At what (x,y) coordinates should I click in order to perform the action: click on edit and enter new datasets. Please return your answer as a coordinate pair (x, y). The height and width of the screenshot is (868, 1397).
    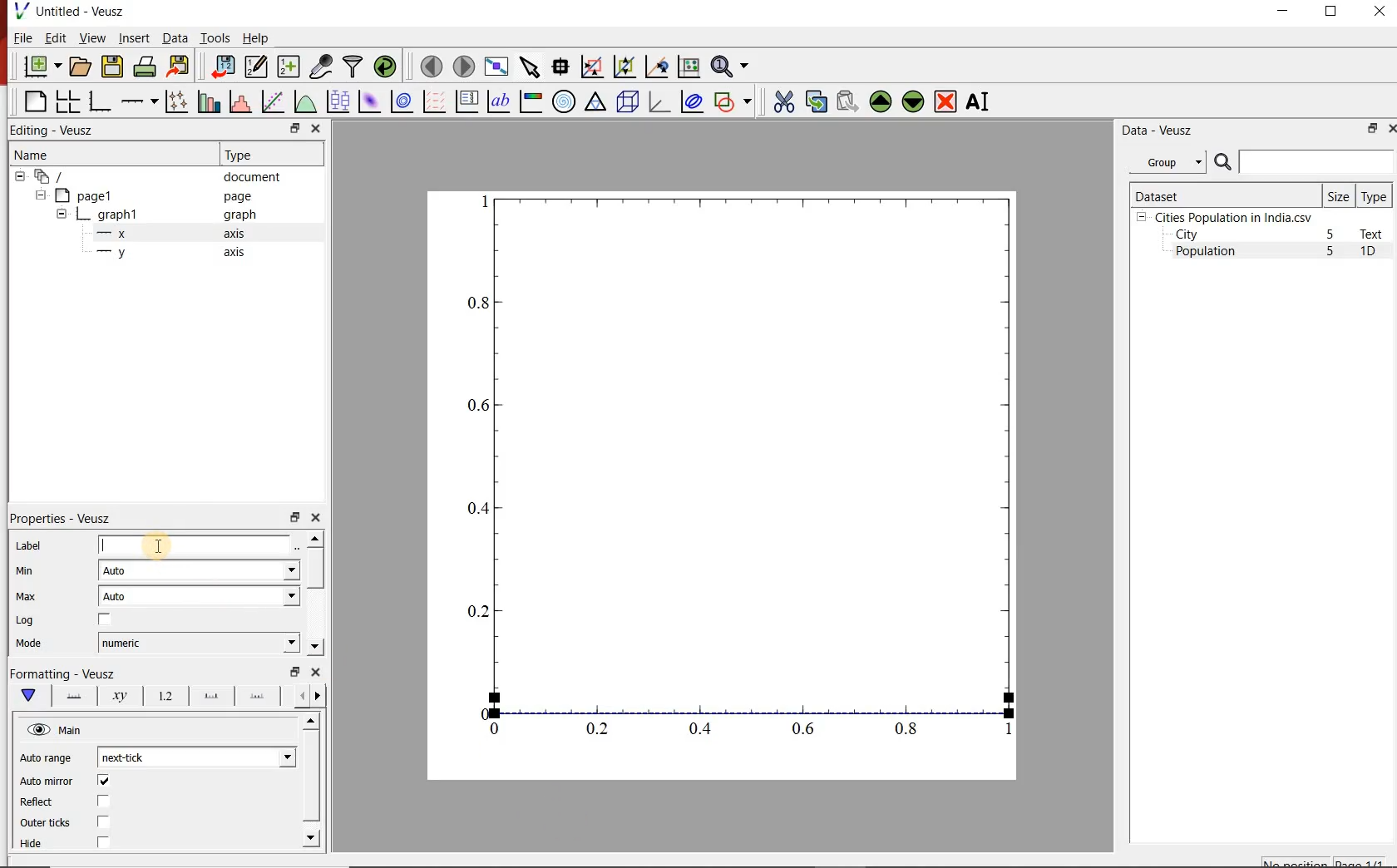
    Looking at the image, I should click on (254, 67).